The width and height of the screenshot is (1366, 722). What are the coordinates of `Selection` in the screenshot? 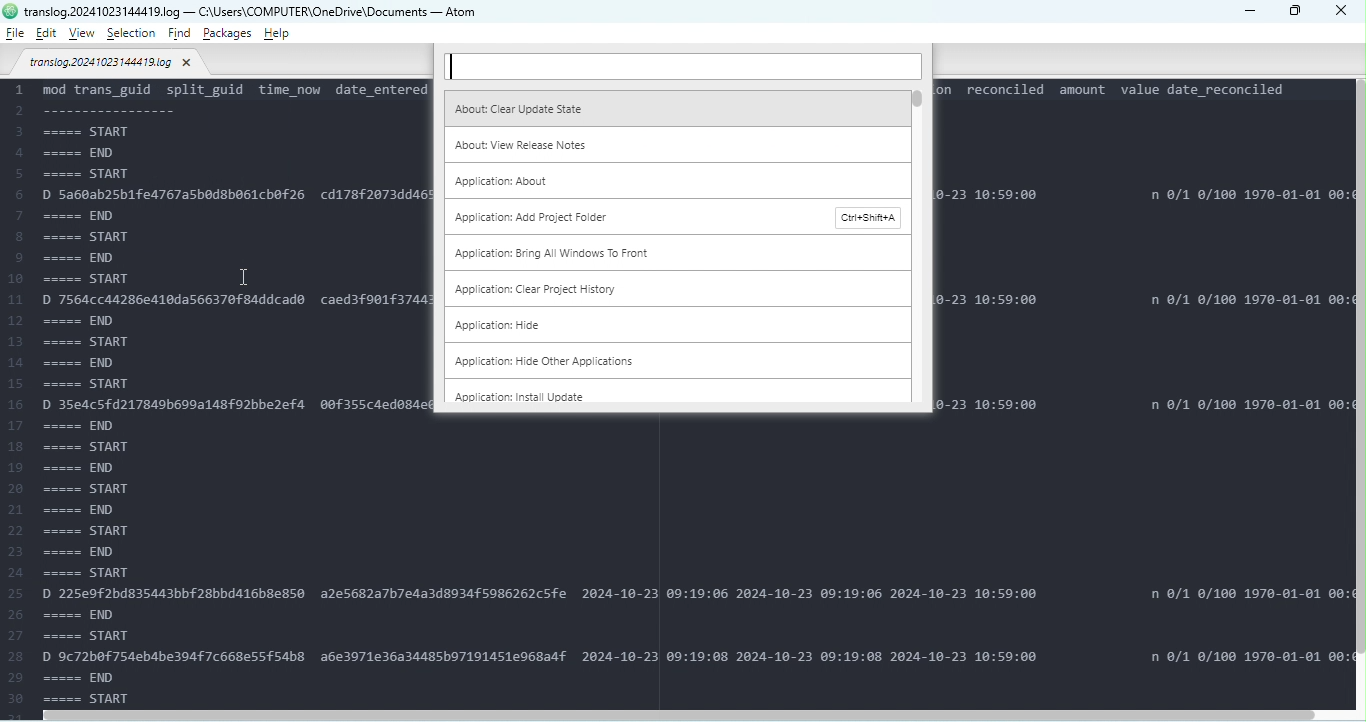 It's located at (133, 34).